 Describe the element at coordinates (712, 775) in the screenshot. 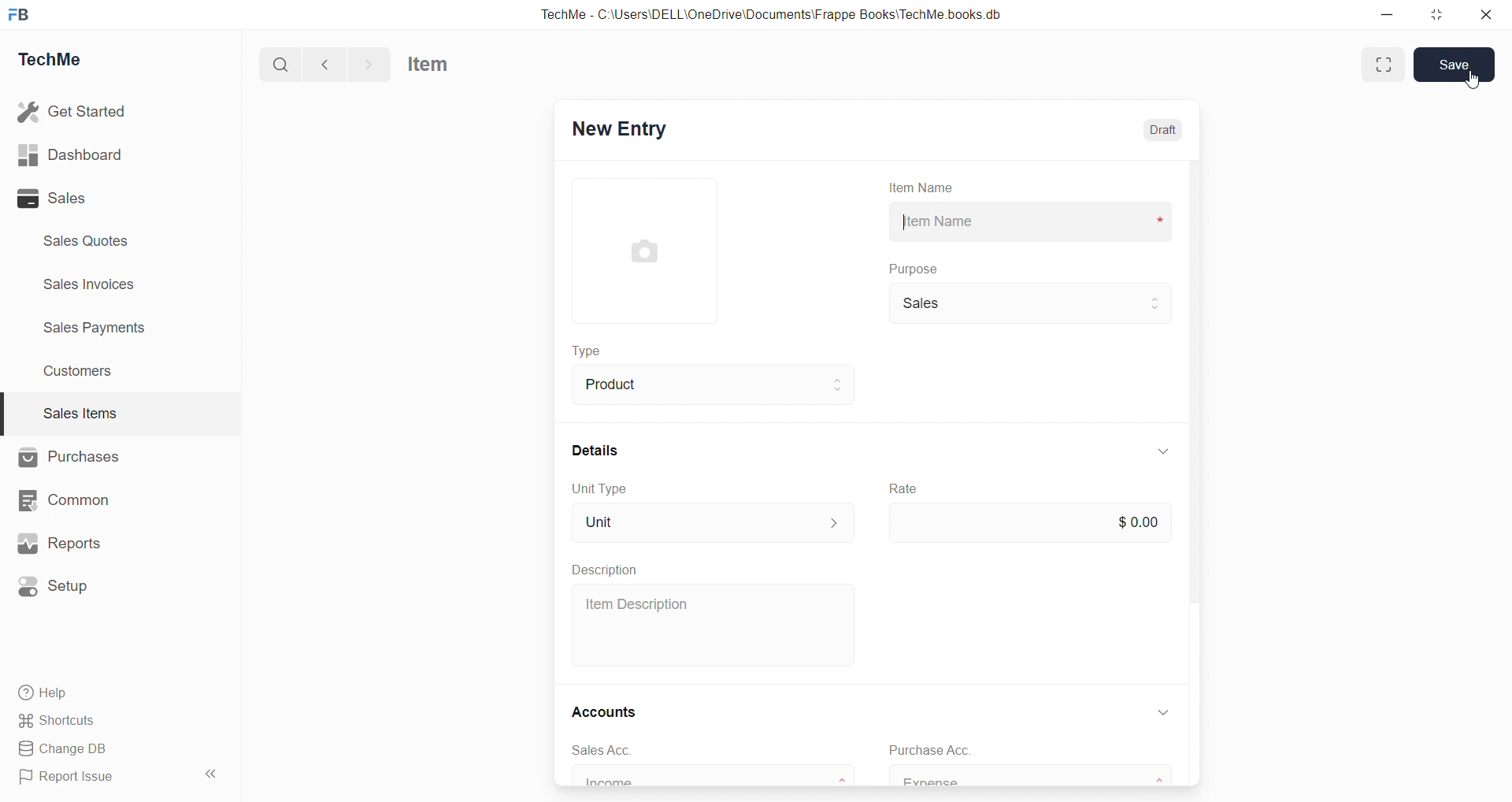

I see `Income` at that location.